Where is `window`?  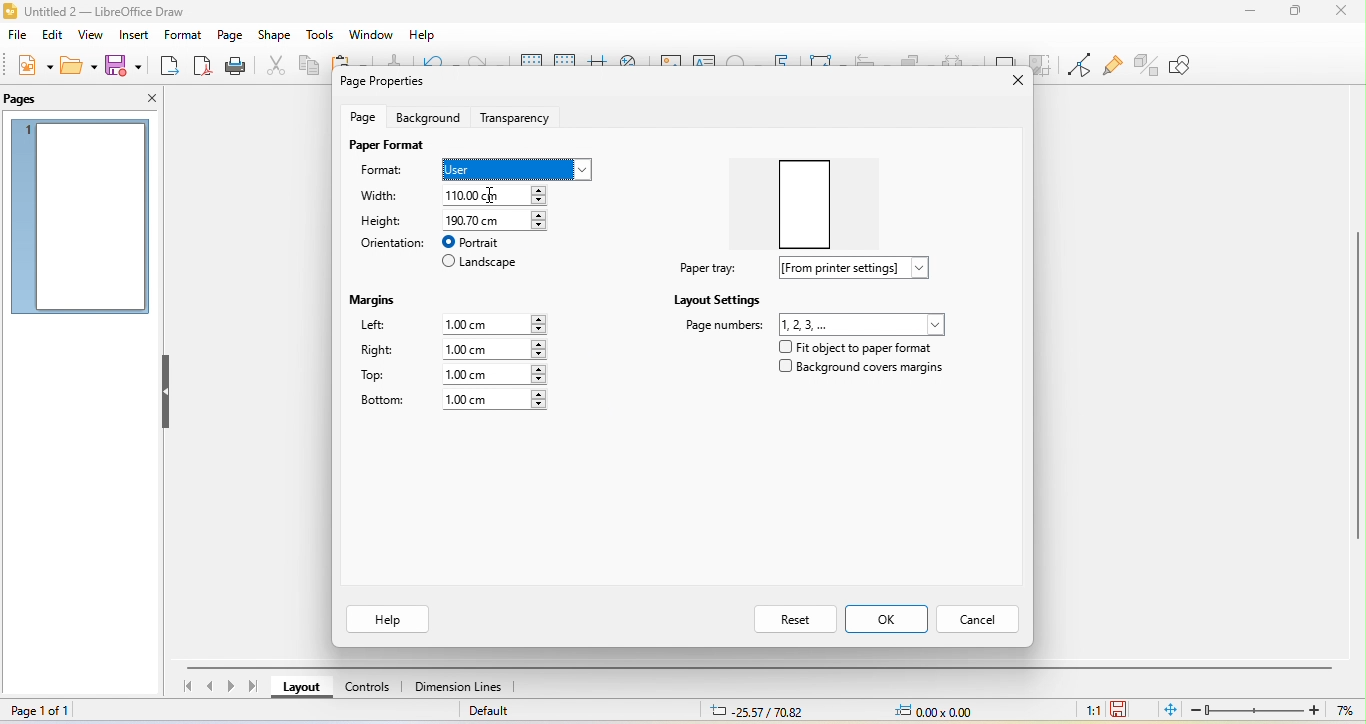 window is located at coordinates (371, 35).